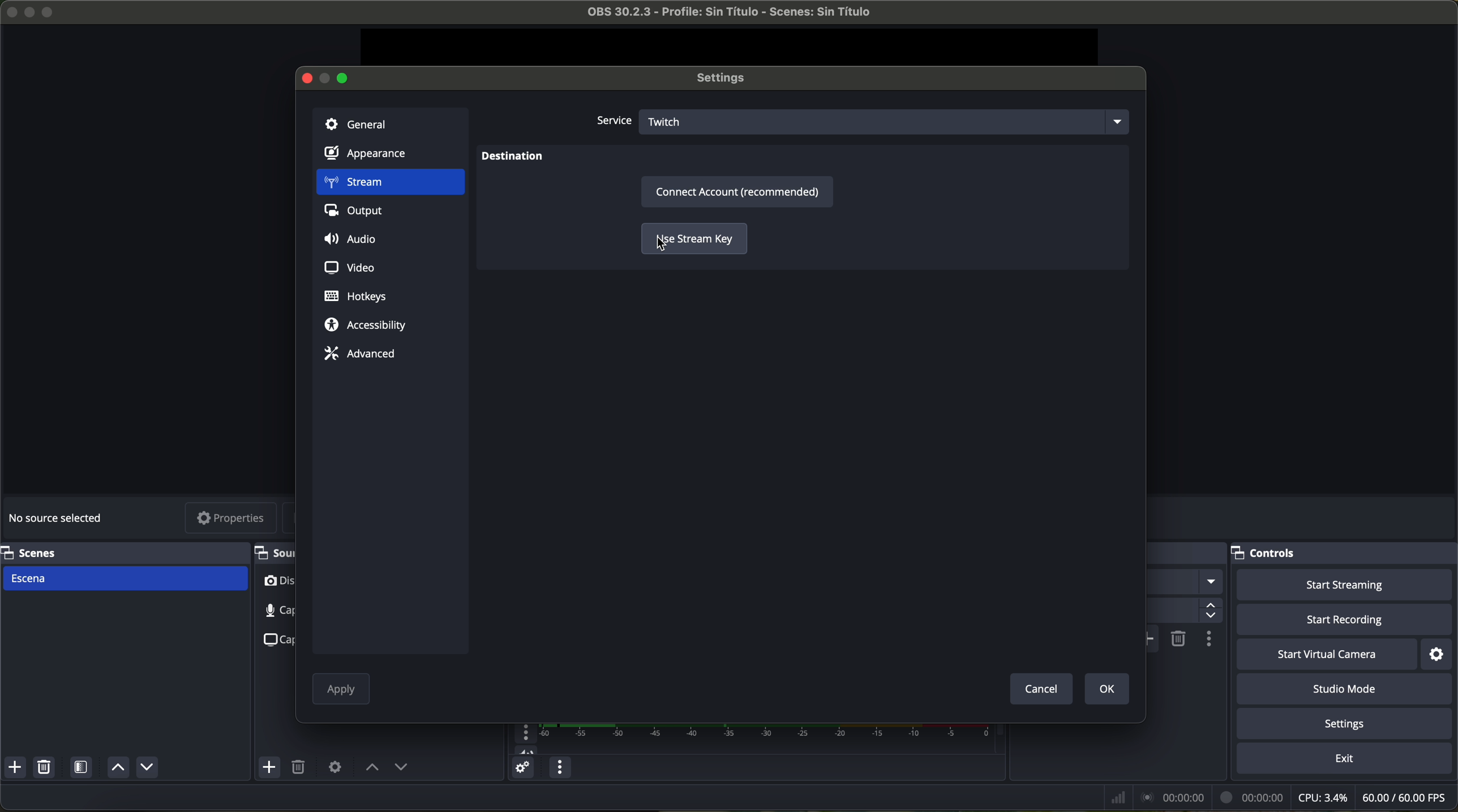  Describe the element at coordinates (9, 10) in the screenshot. I see `close program` at that location.